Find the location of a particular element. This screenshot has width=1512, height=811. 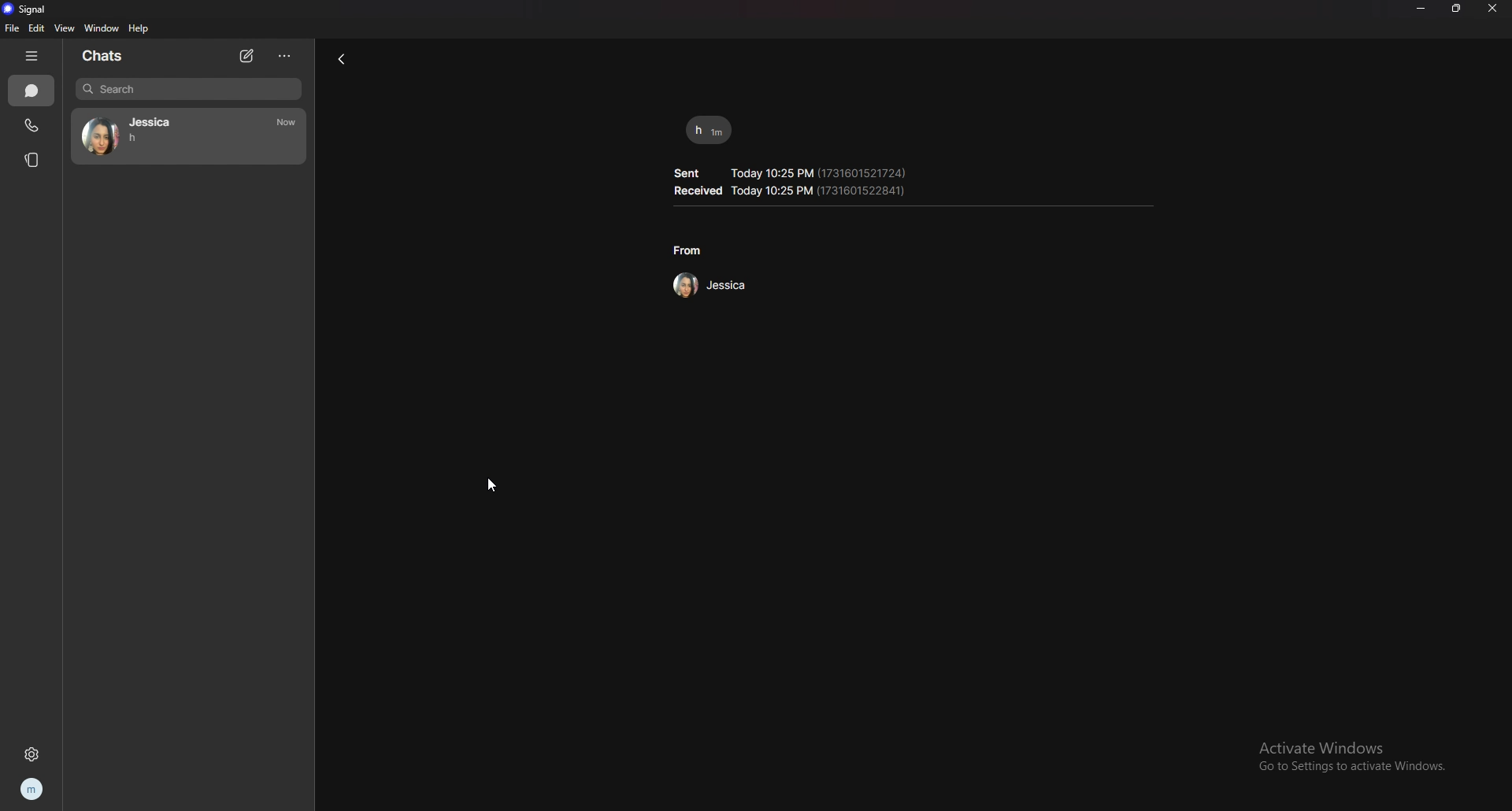

calls is located at coordinates (29, 125).